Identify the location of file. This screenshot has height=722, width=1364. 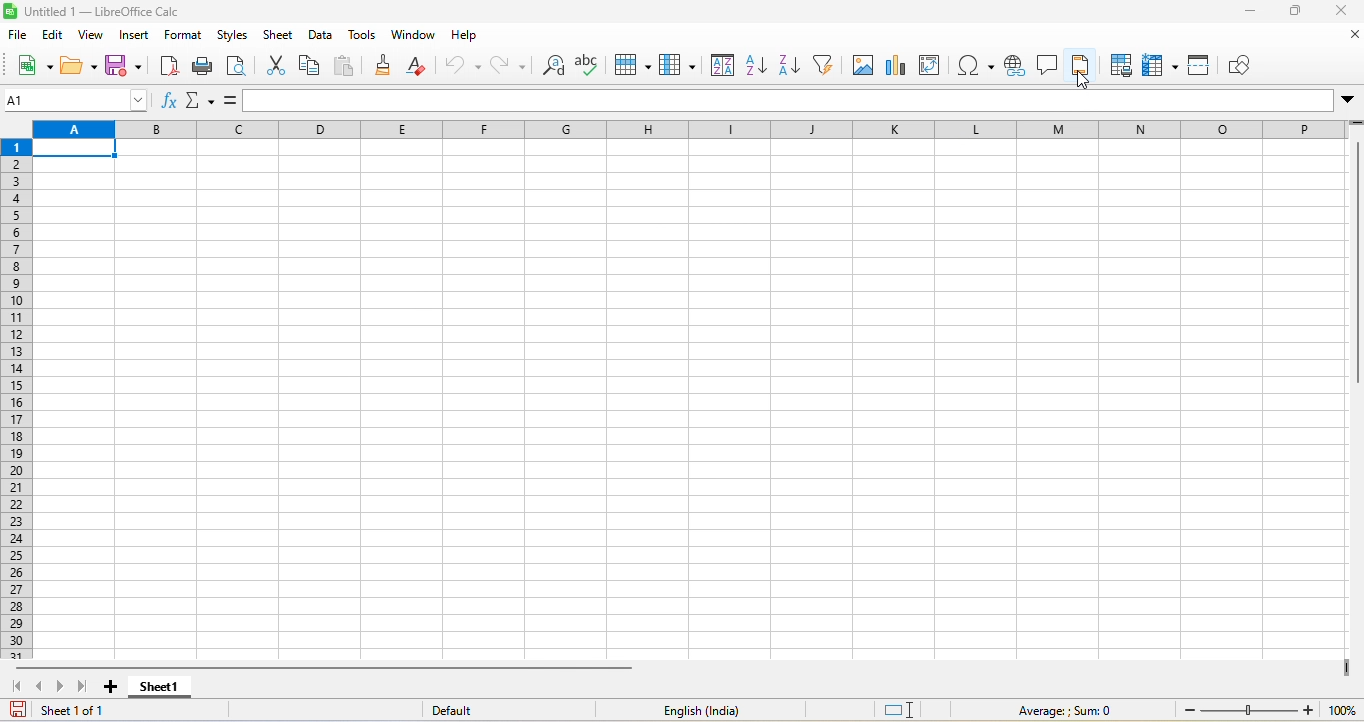
(19, 37).